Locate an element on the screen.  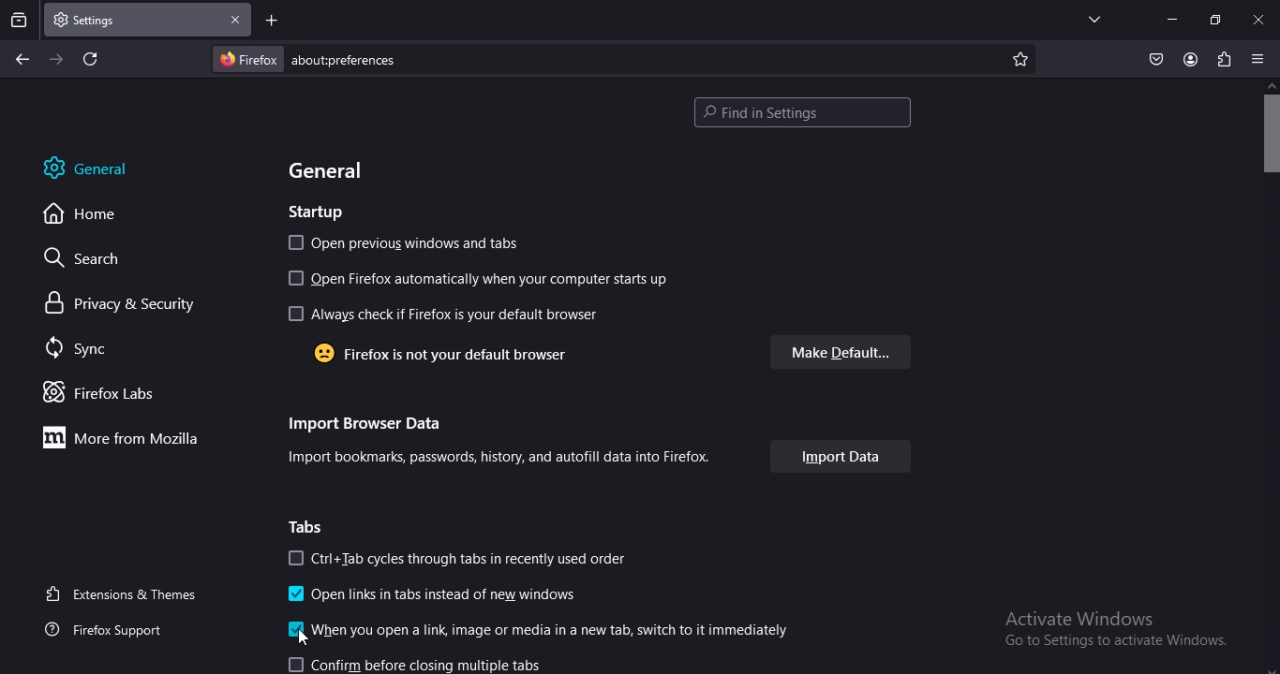
firefox labs is located at coordinates (101, 394).